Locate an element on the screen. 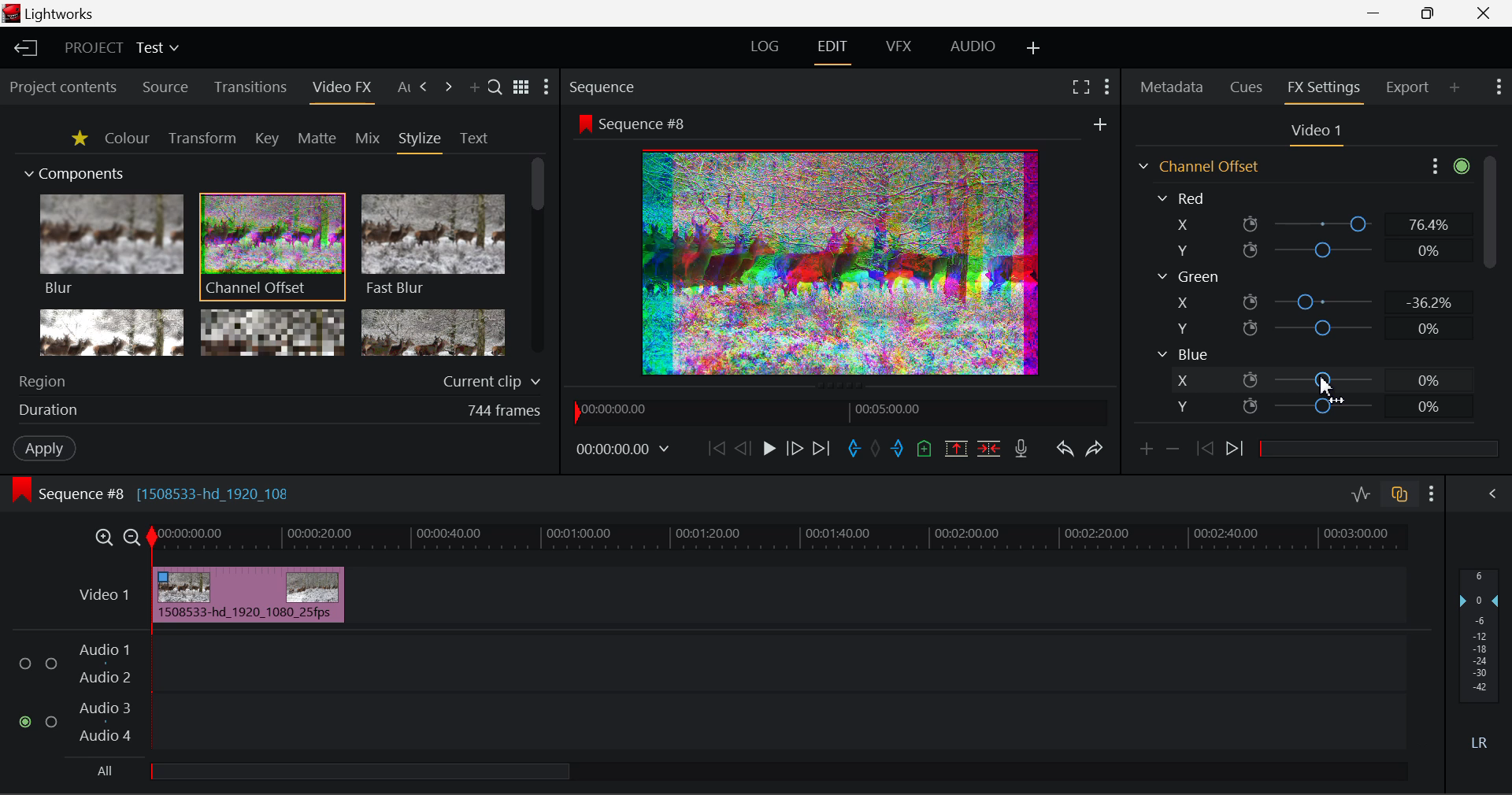 This screenshot has width=1512, height=795. Key is located at coordinates (265, 139).